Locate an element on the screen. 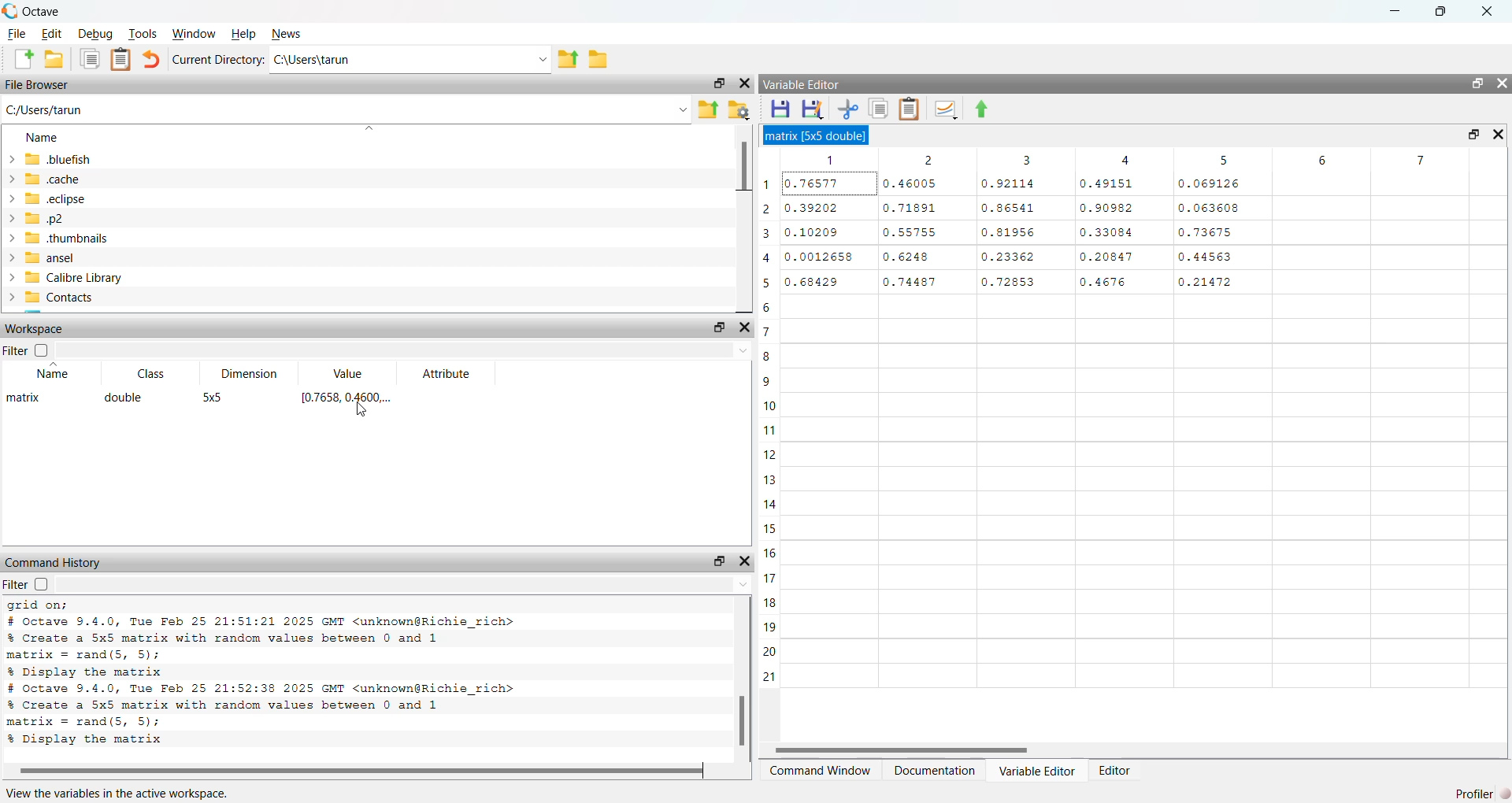 This screenshot has height=803, width=1512. C Octave is located at coordinates (42, 10).